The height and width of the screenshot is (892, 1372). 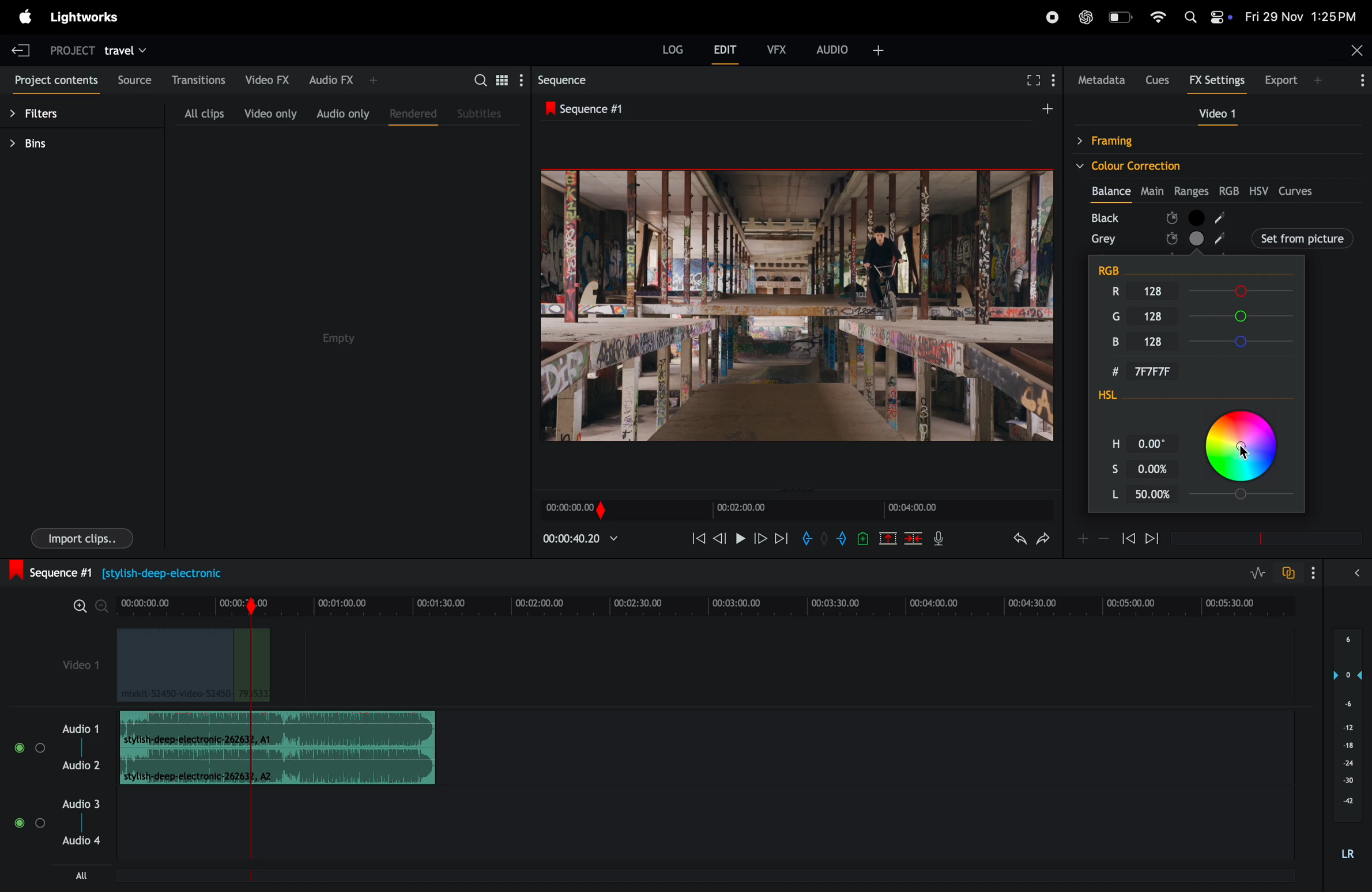 I want to click on nextframe, so click(x=761, y=538).